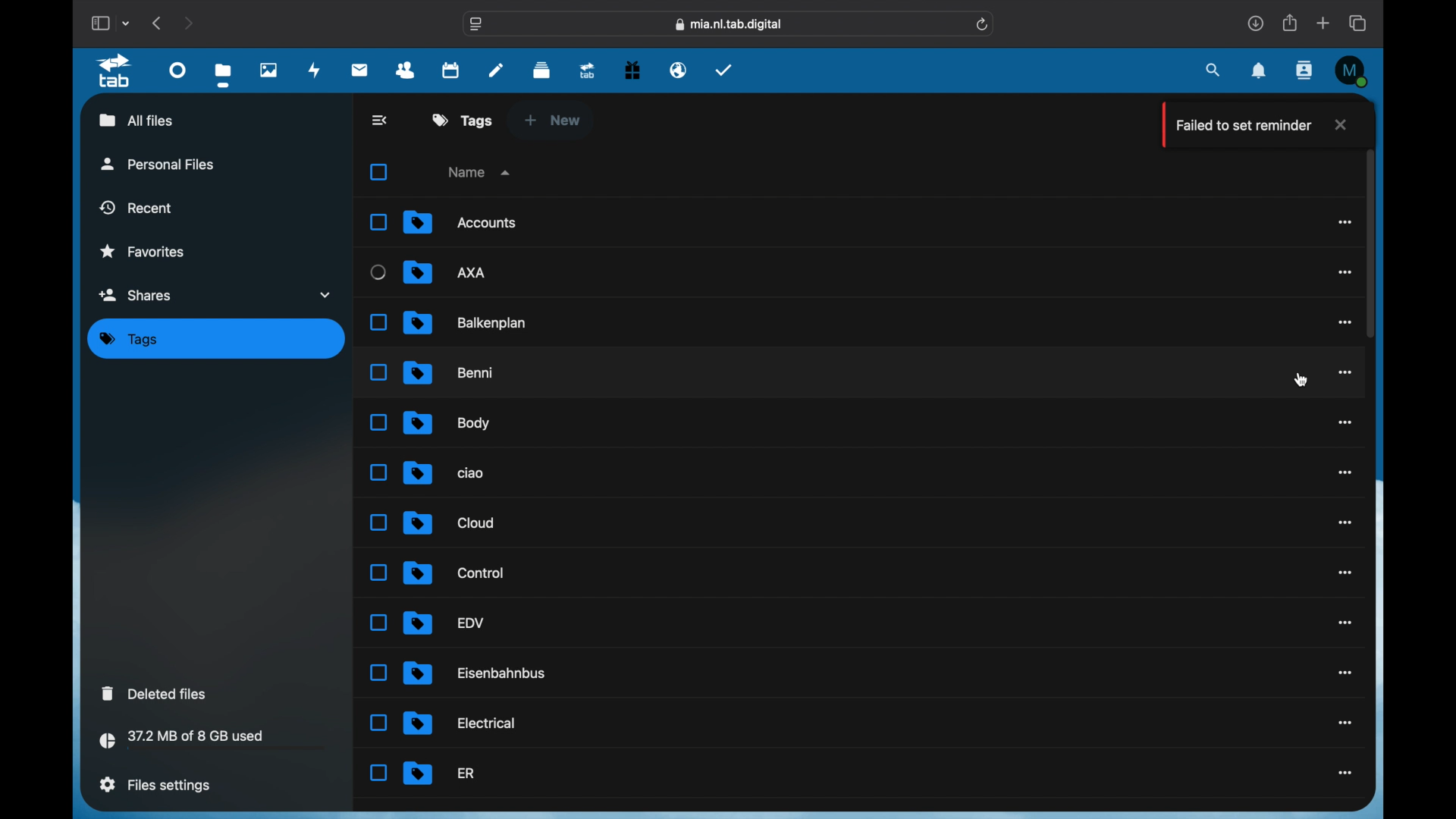 Image resolution: width=1456 pixels, height=819 pixels. I want to click on more options, so click(1346, 572).